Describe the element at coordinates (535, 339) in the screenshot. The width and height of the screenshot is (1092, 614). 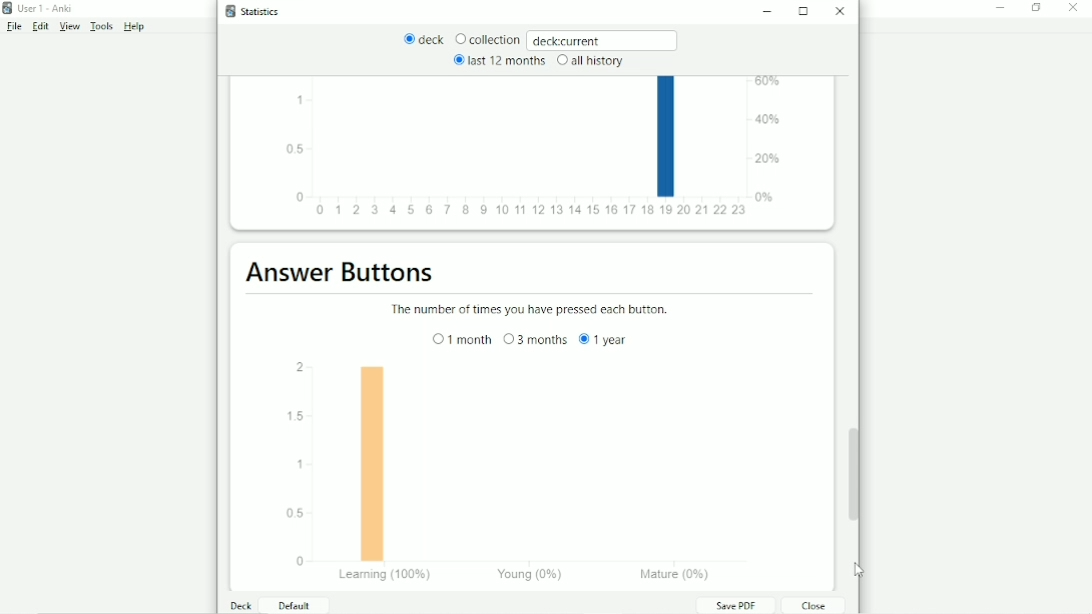
I see `3 months` at that location.